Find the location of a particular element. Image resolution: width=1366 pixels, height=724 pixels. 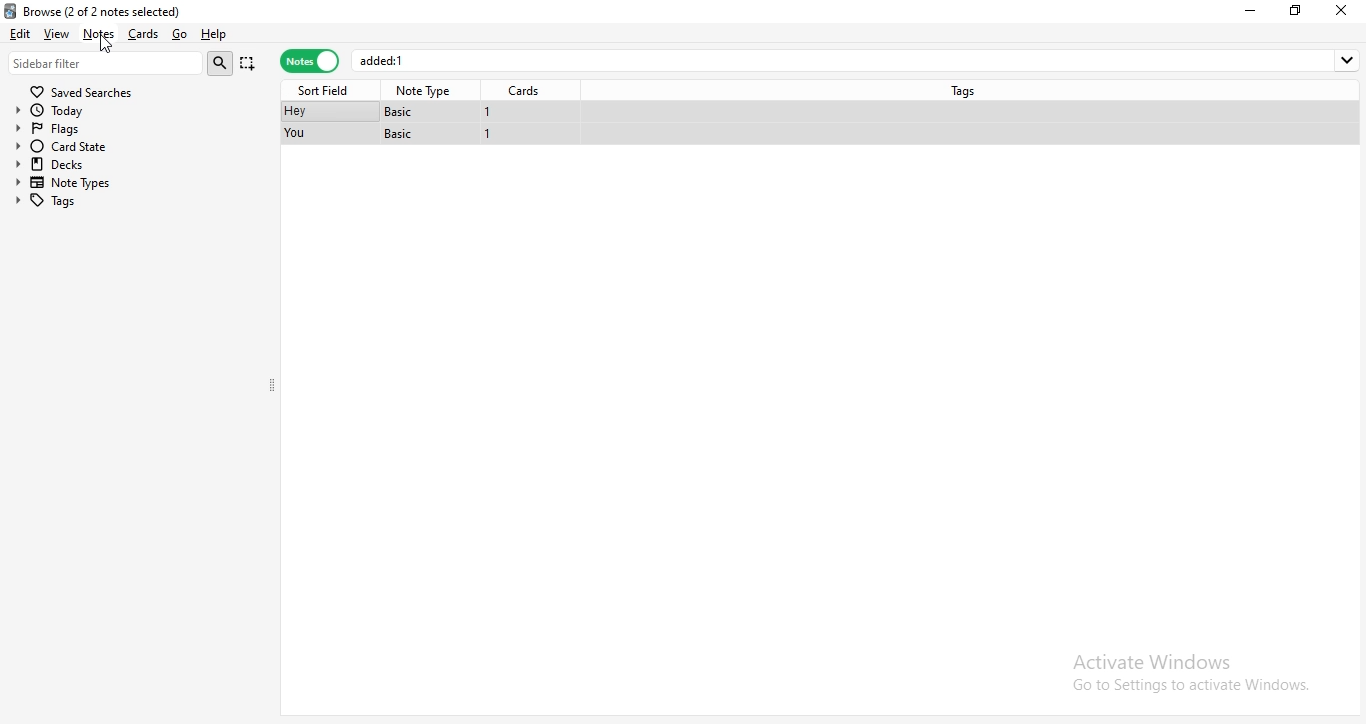

you is located at coordinates (297, 134).